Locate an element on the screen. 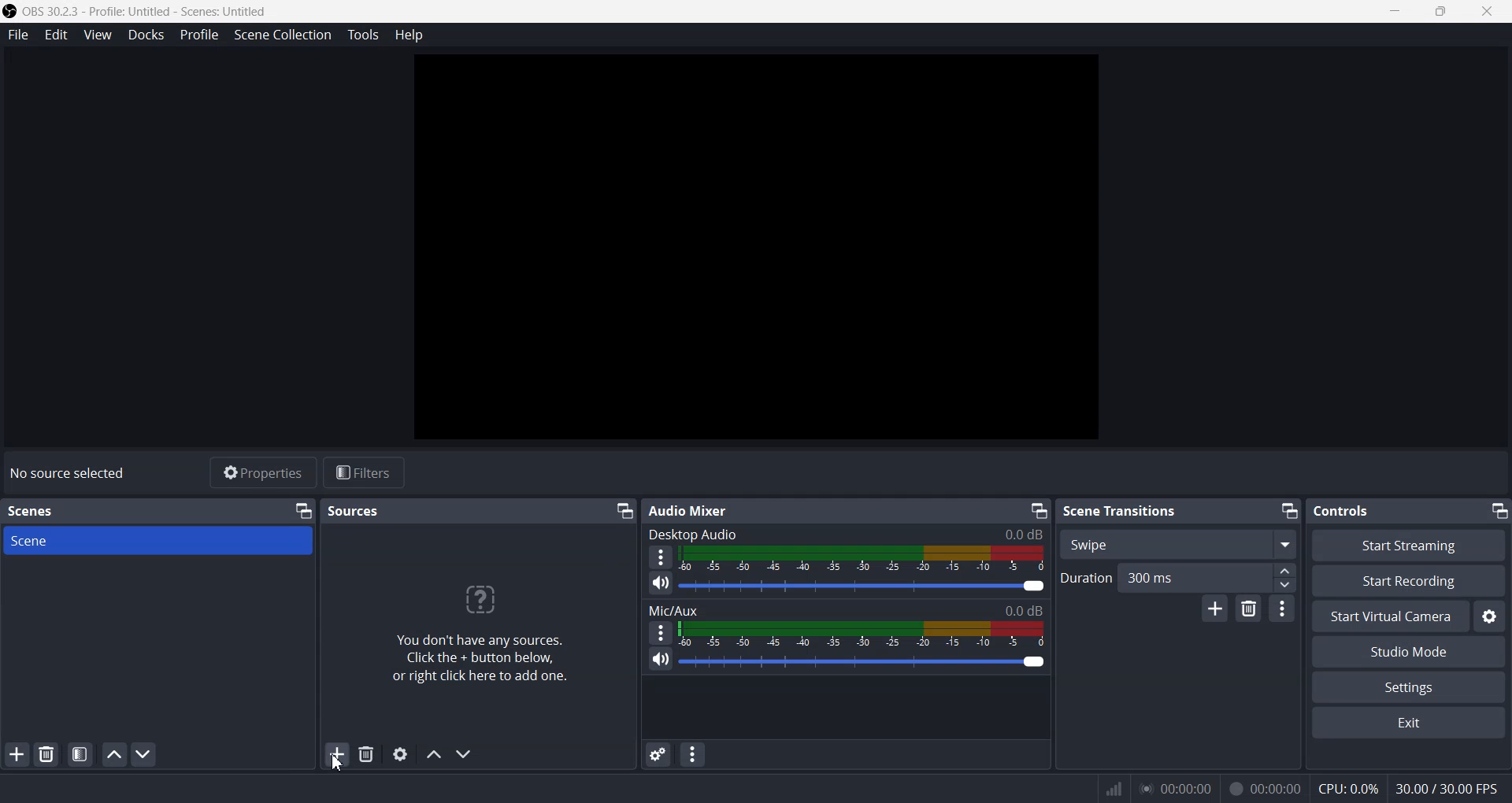 This screenshot has width=1512, height=803. Text is located at coordinates (1121, 512).